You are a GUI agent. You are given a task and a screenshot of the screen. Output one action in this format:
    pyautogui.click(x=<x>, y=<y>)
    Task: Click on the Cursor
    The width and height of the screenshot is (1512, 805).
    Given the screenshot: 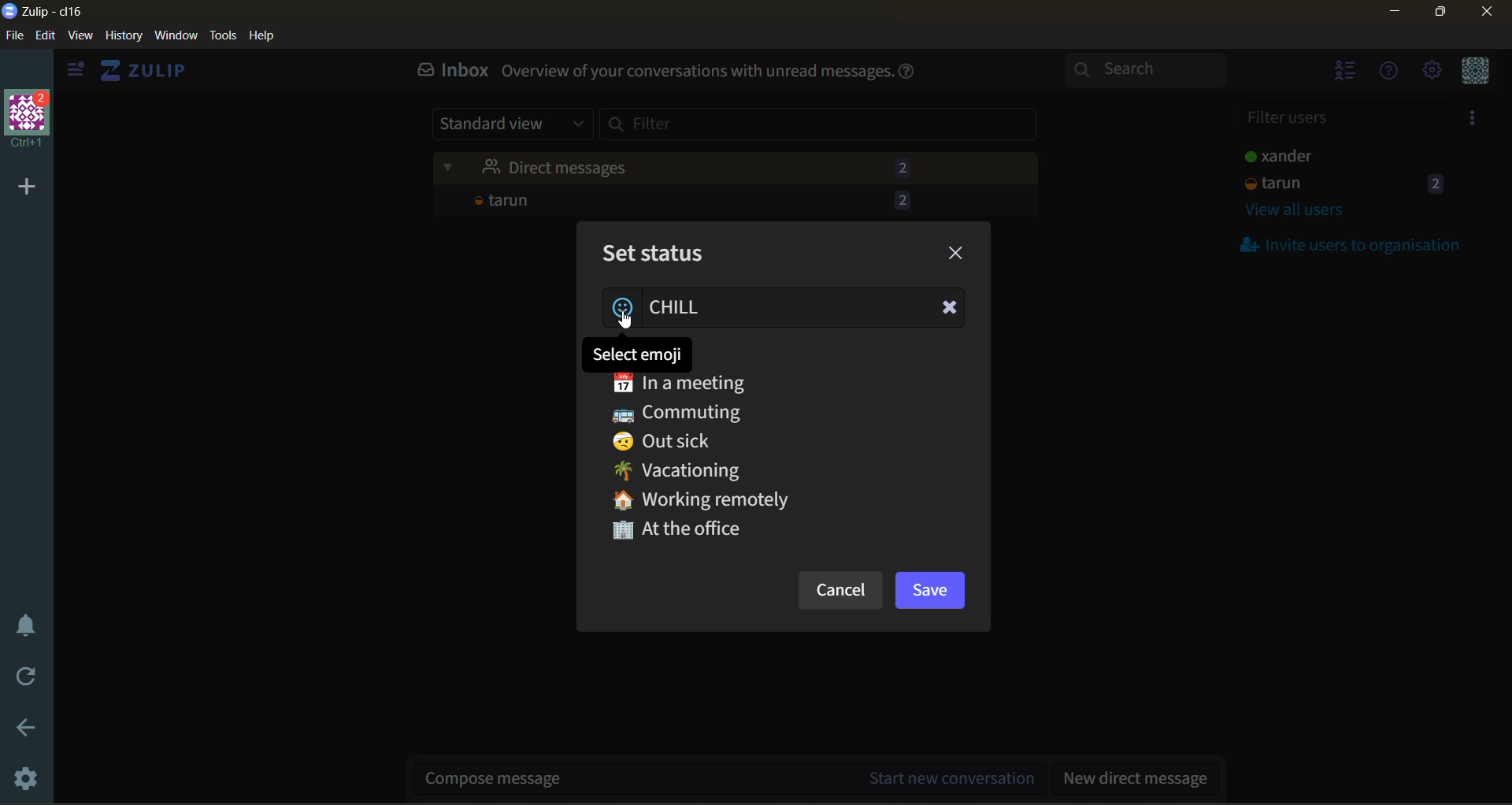 What is the action you would take?
    pyautogui.click(x=628, y=324)
    